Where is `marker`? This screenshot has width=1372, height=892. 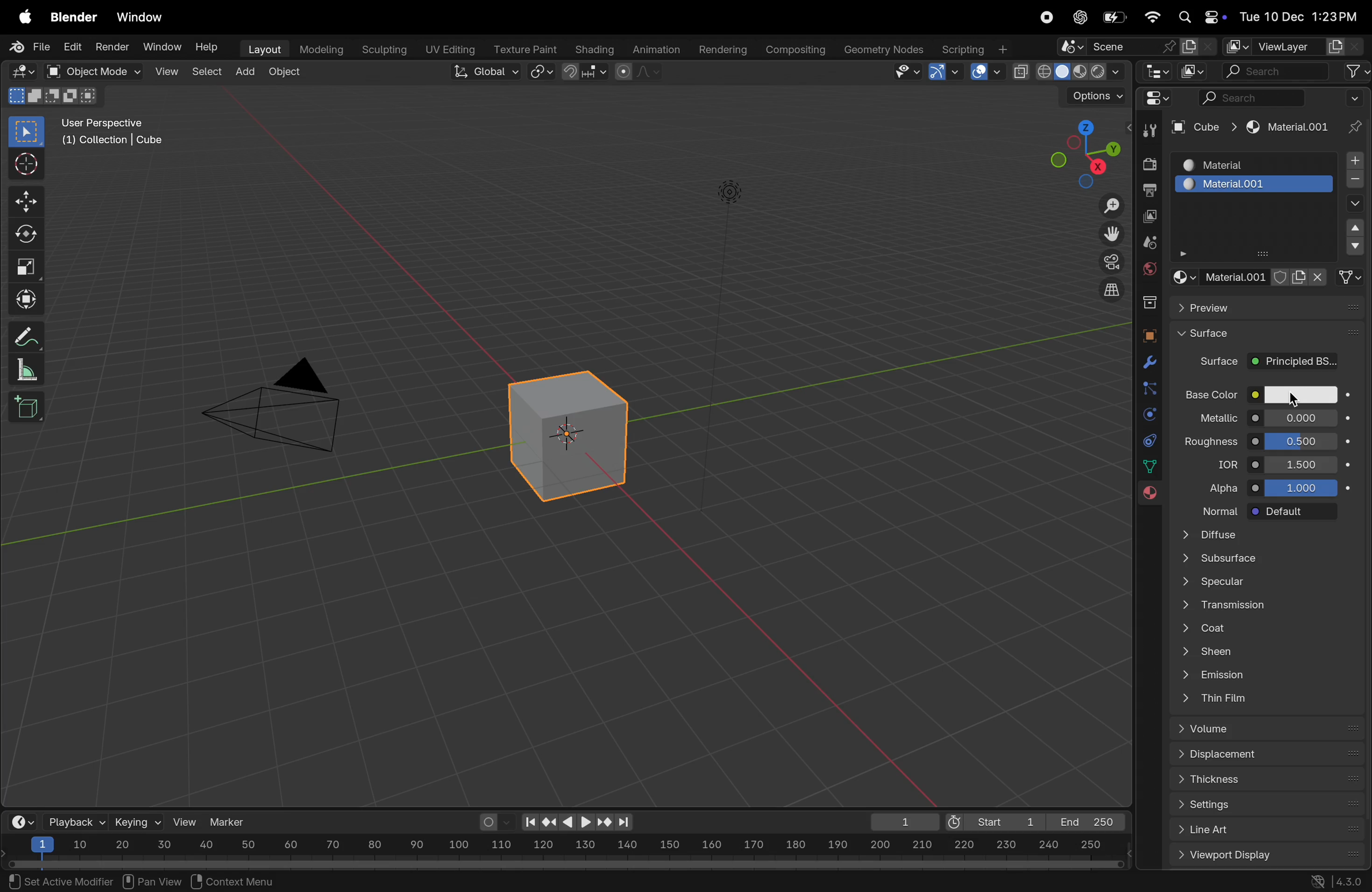 marker is located at coordinates (232, 821).